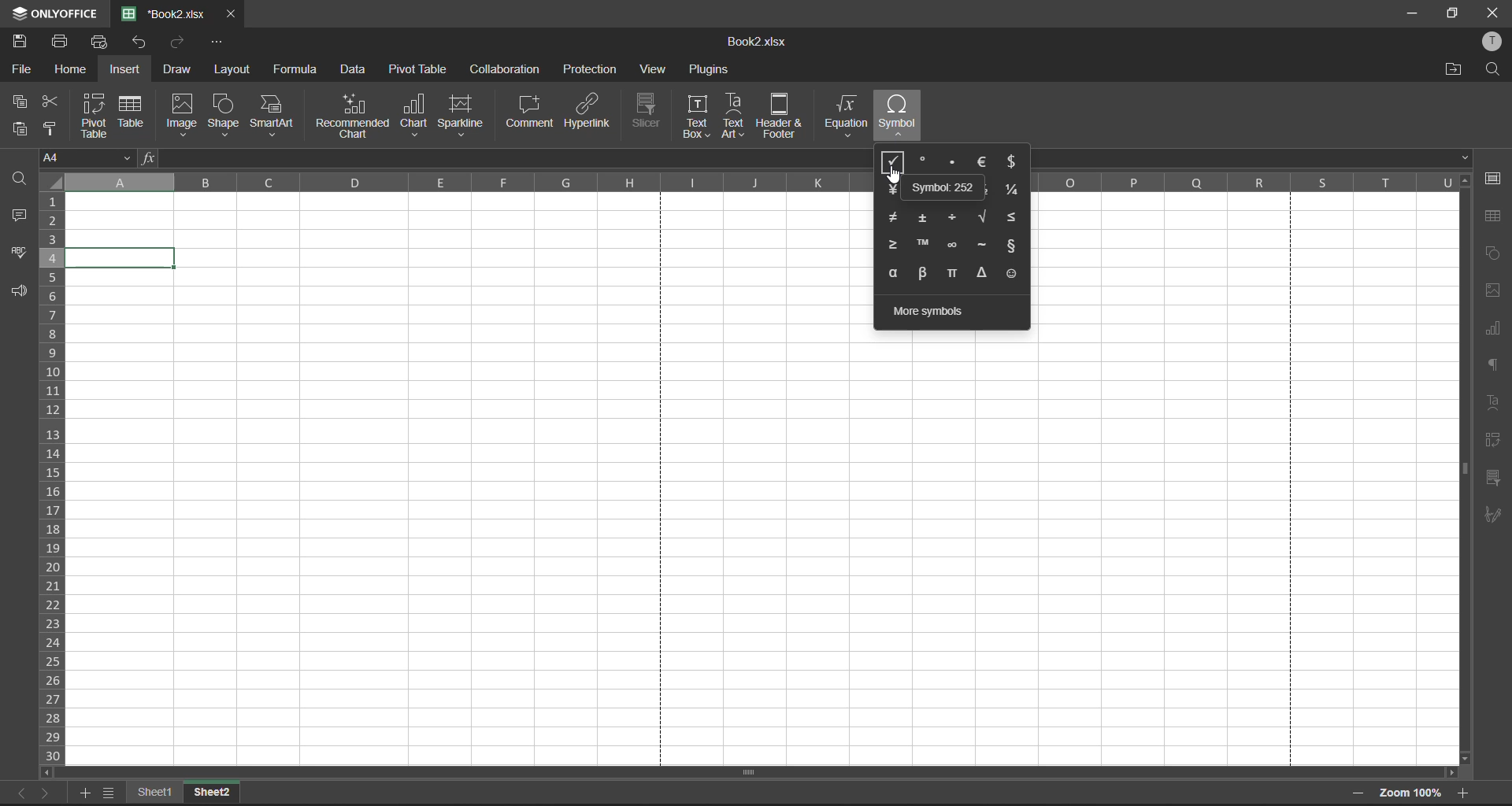  Describe the element at coordinates (1492, 253) in the screenshot. I see `shapes` at that location.